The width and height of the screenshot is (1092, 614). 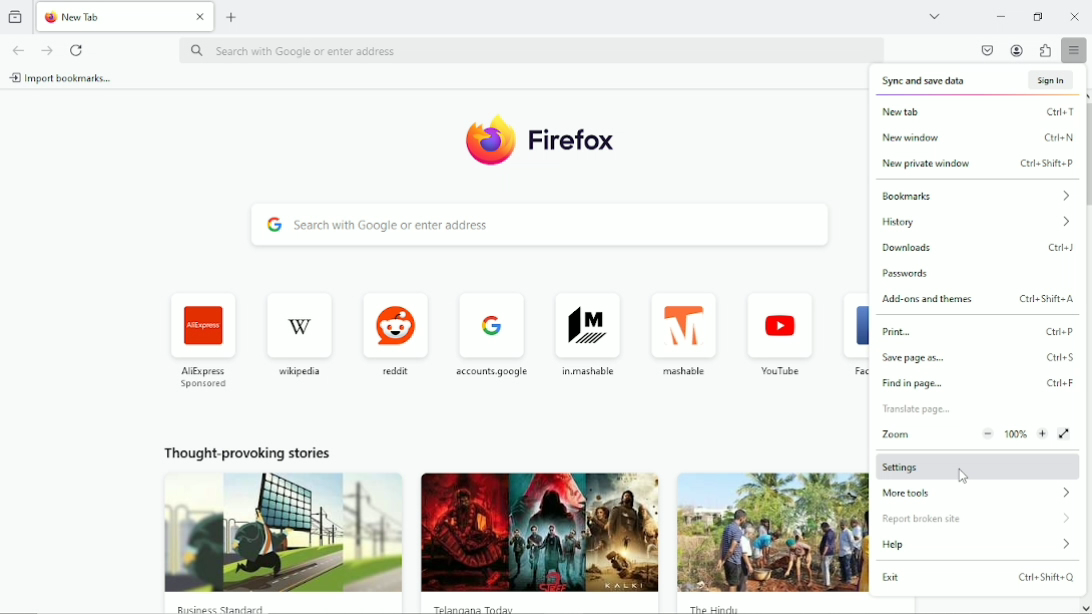 What do you see at coordinates (977, 385) in the screenshot?
I see `Find in page` at bounding box center [977, 385].